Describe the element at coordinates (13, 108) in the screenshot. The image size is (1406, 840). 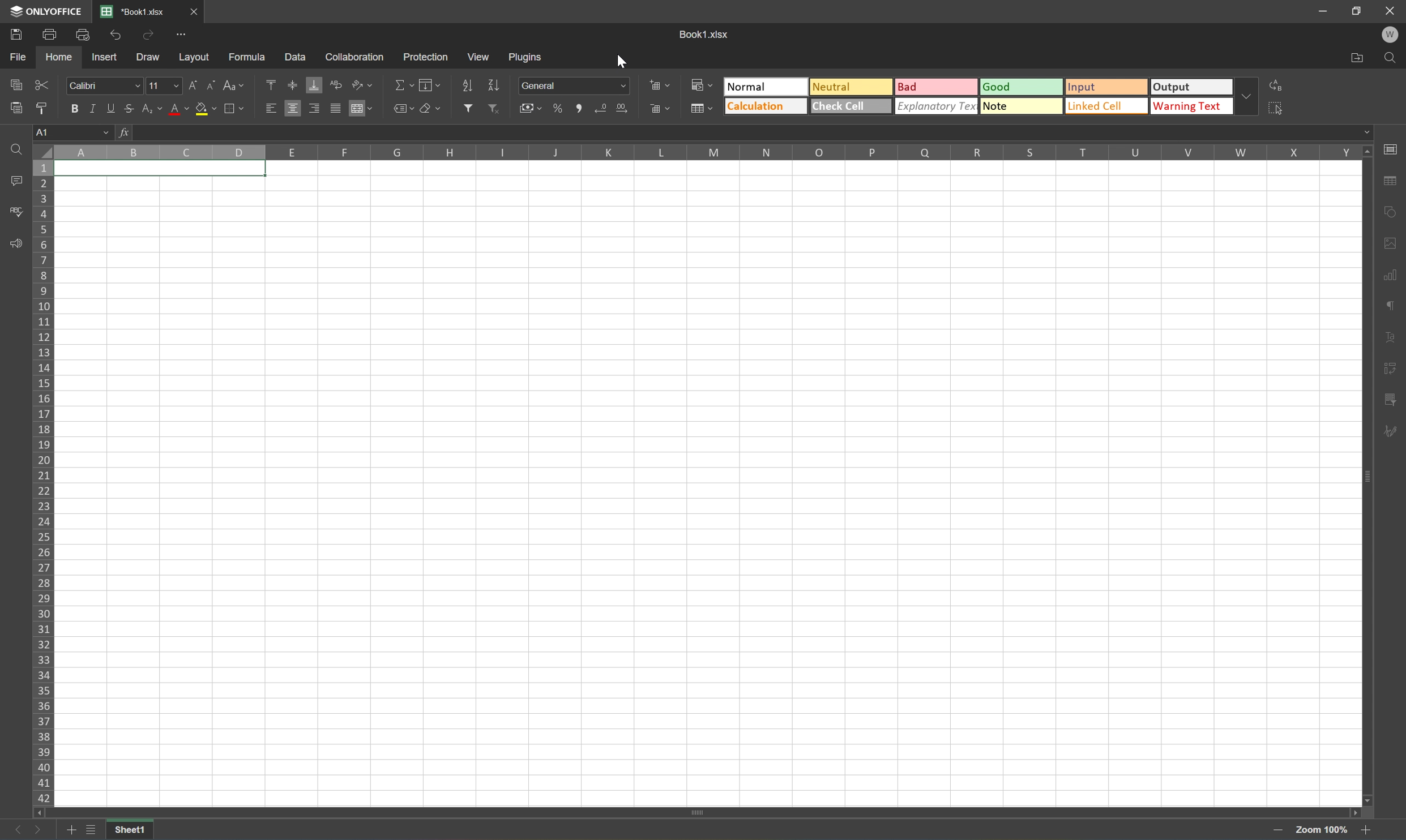
I see `Paste` at that location.